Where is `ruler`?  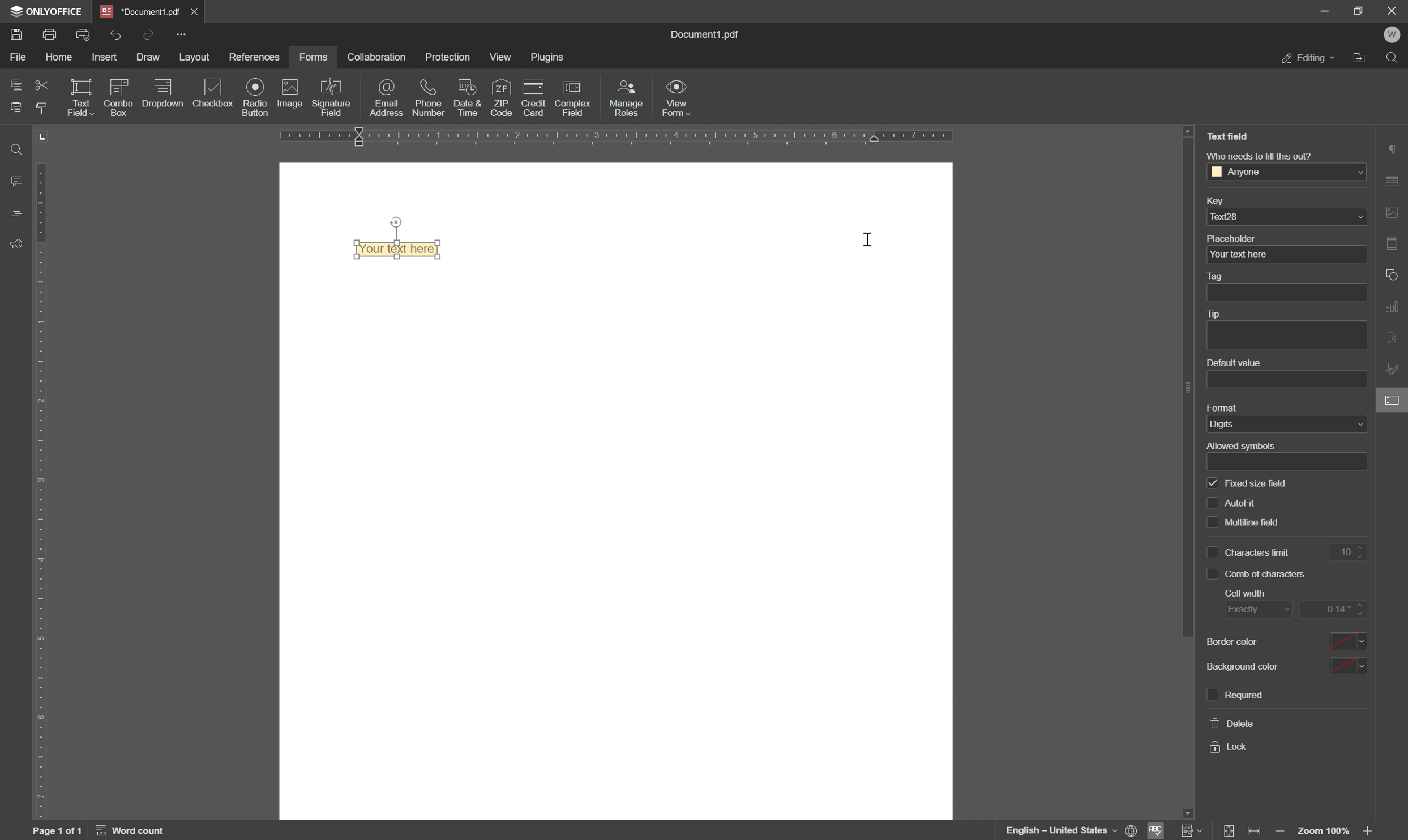
ruler is located at coordinates (40, 486).